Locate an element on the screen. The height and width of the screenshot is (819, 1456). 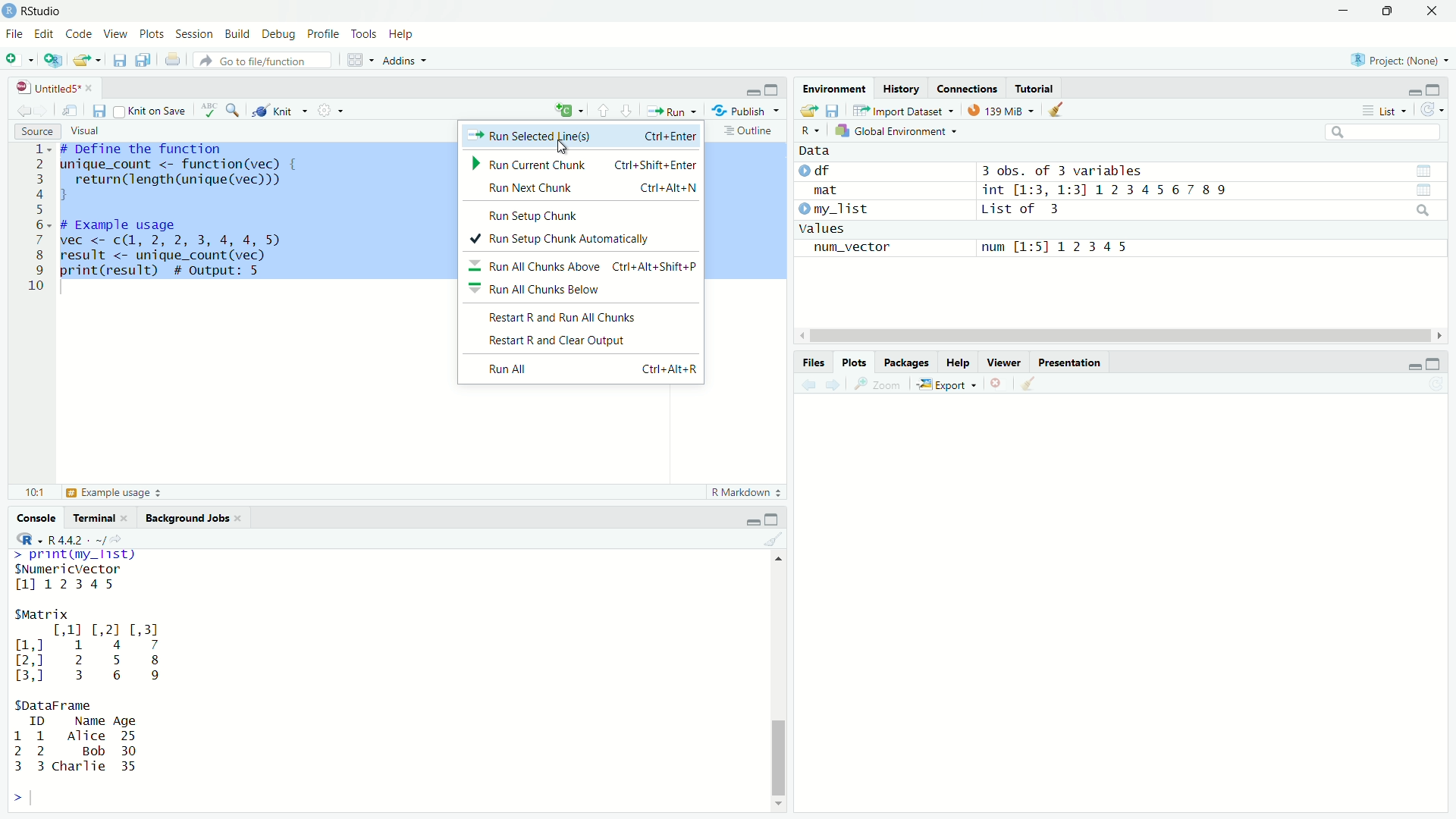
Tools is located at coordinates (366, 33).